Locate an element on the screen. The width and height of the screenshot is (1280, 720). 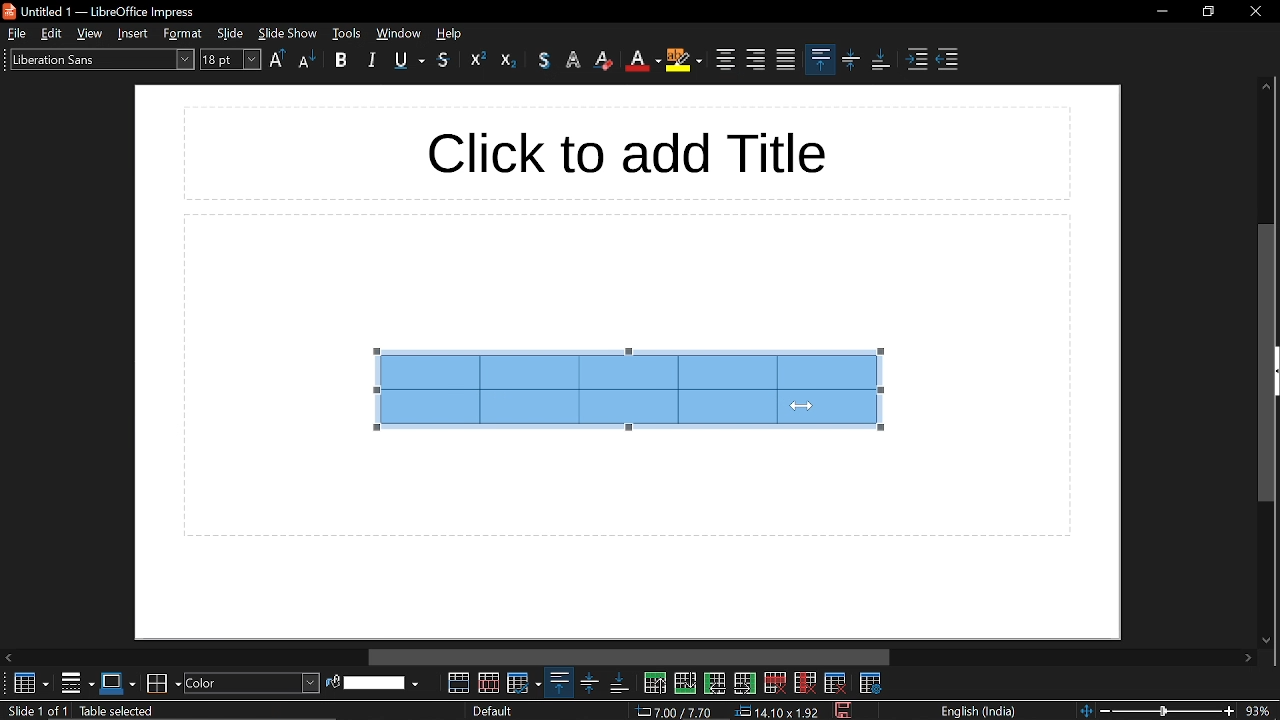
fill style is located at coordinates (252, 683).